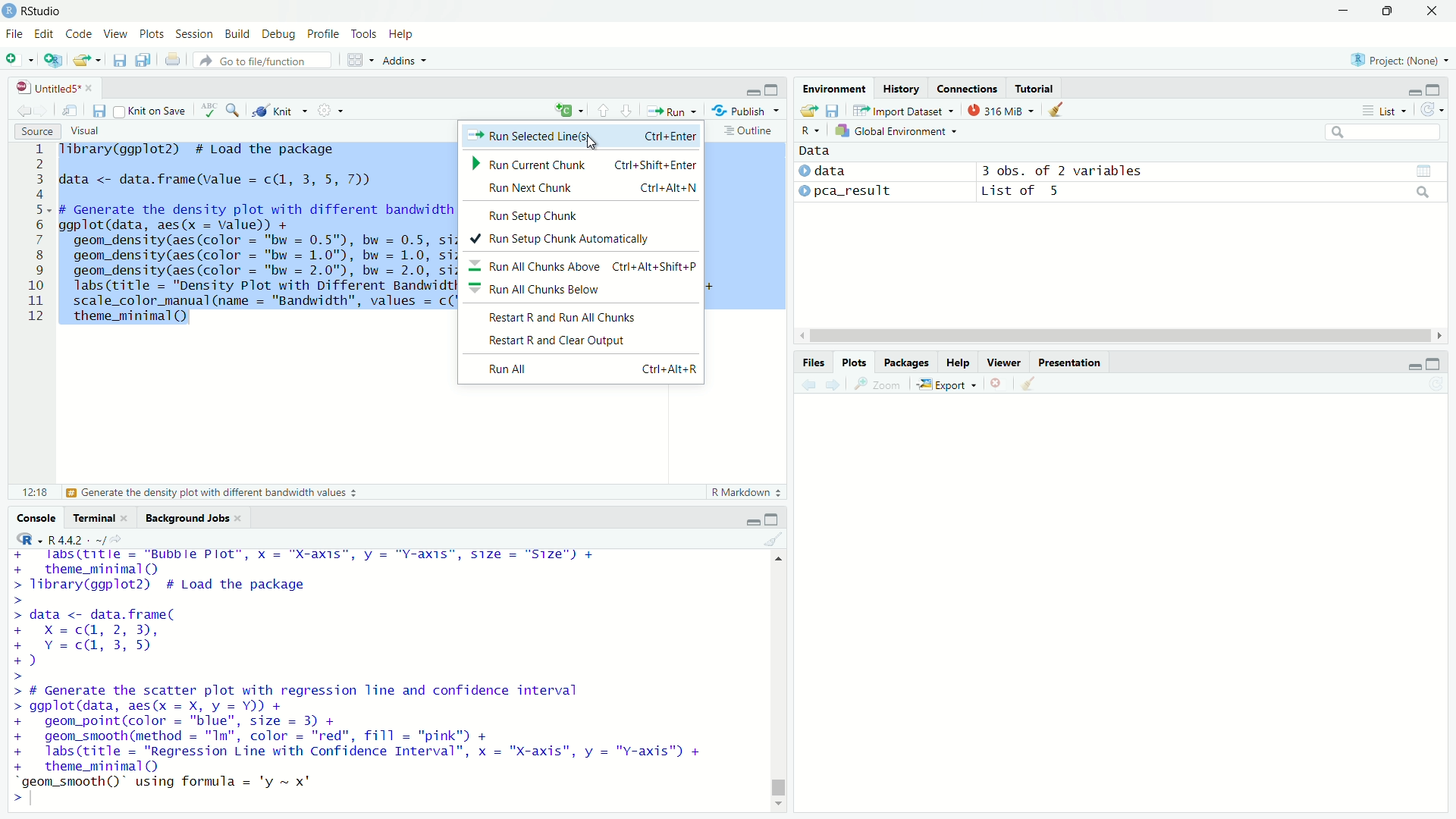 Image resolution: width=1456 pixels, height=819 pixels. Describe the element at coordinates (26, 538) in the screenshot. I see `R` at that location.